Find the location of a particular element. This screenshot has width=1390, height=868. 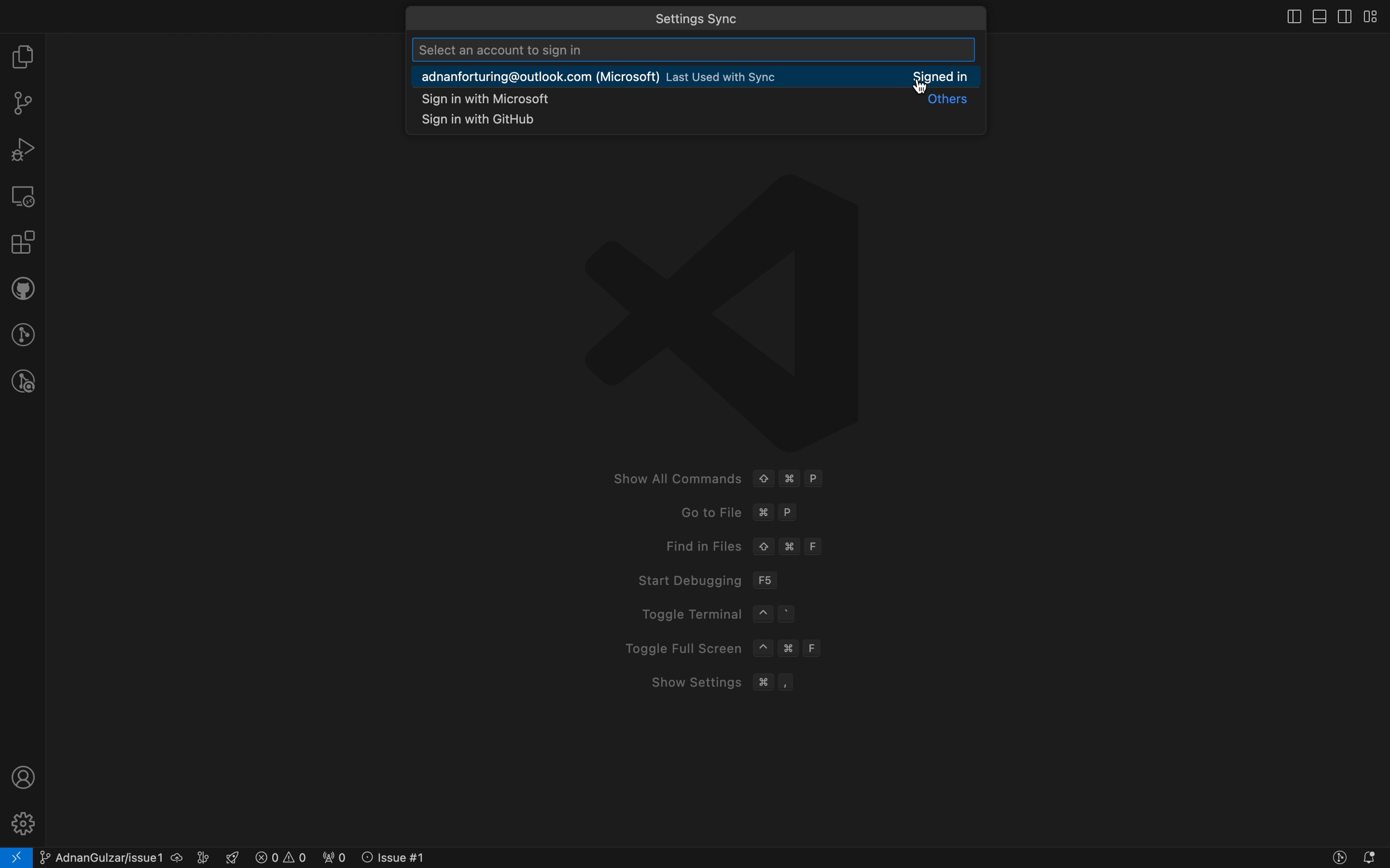

git is located at coordinates (22, 102).